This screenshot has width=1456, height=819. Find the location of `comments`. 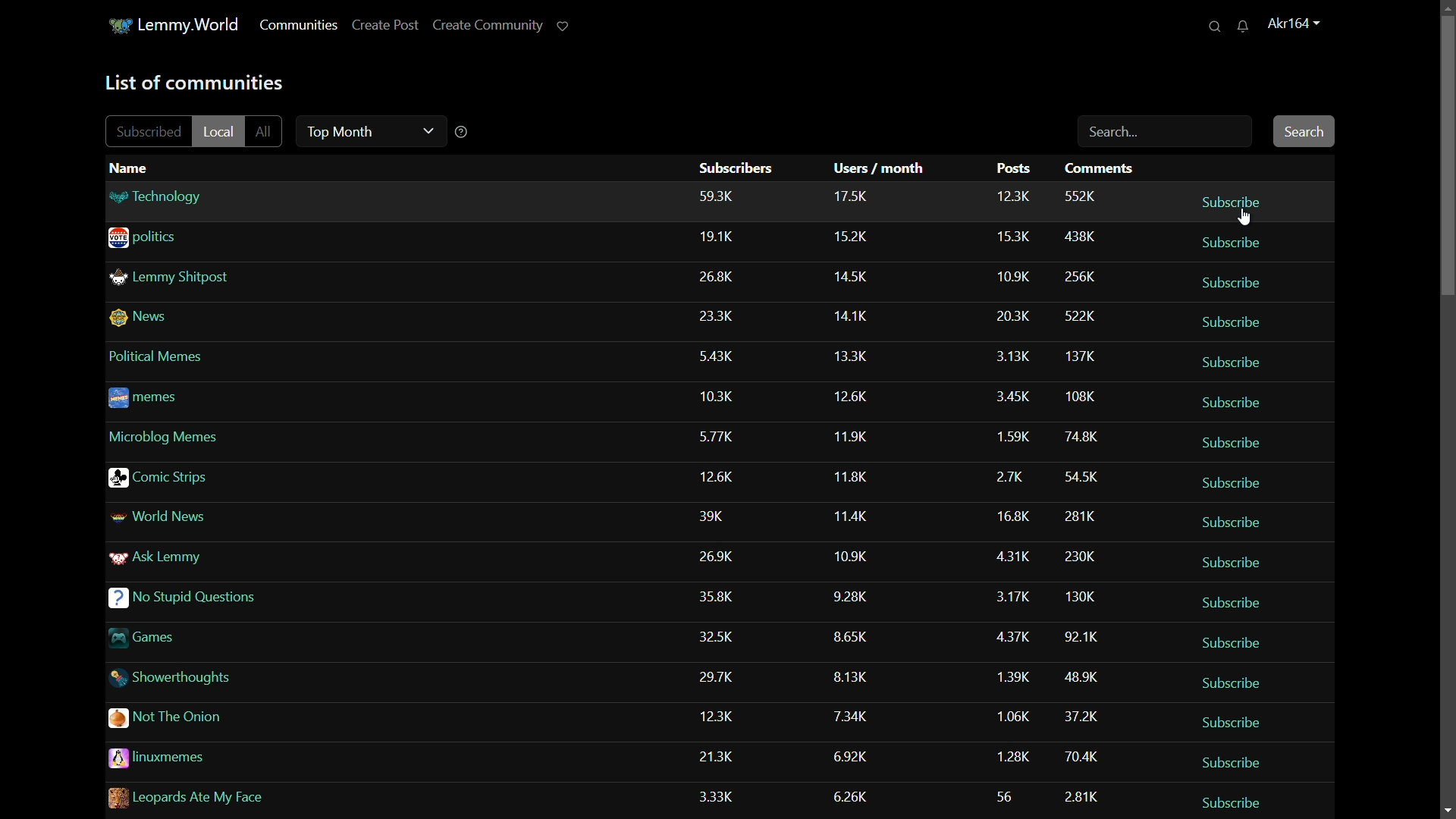

comments is located at coordinates (1081, 757).